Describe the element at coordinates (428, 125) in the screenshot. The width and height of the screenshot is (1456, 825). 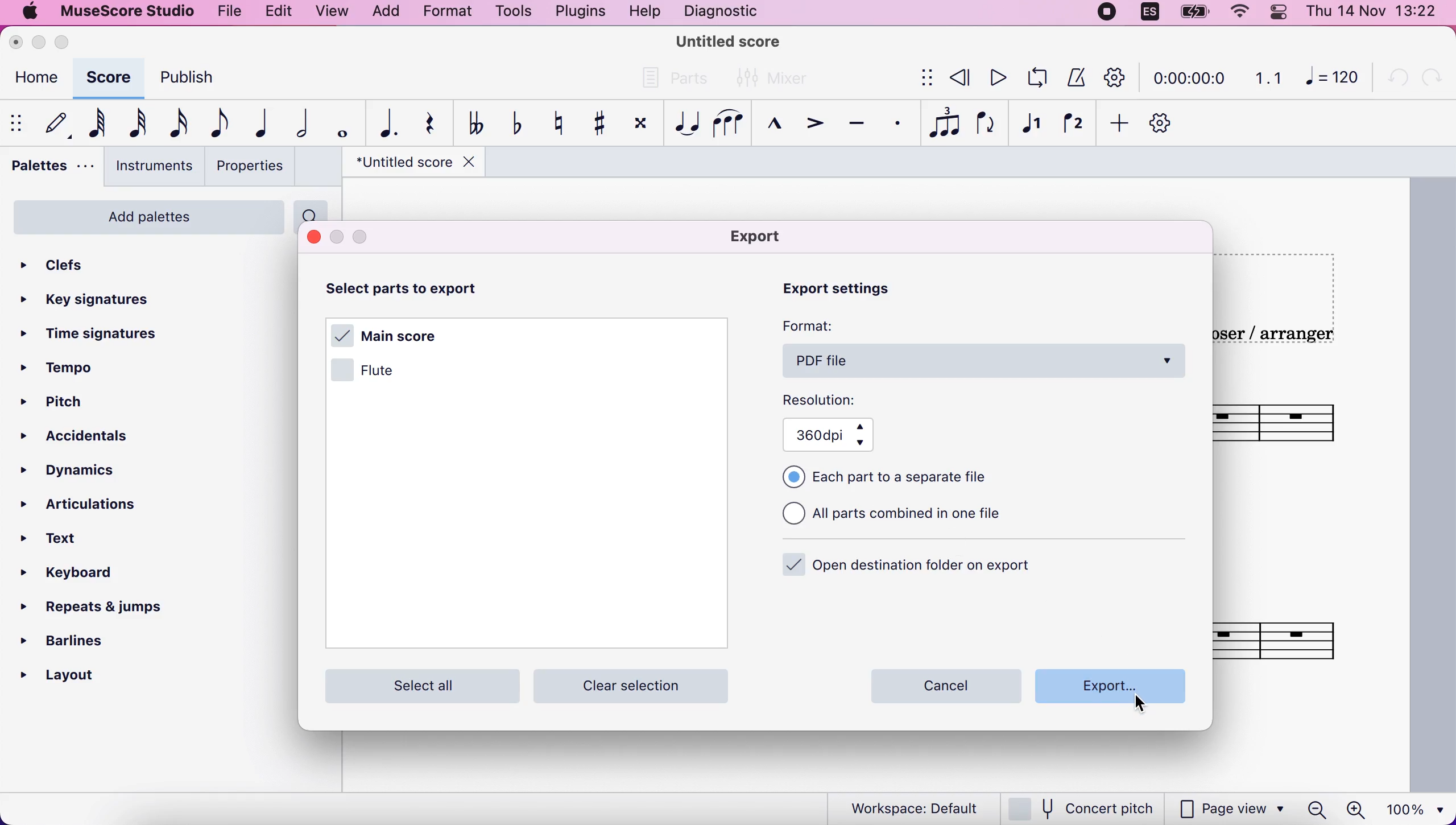
I see `rest` at that location.